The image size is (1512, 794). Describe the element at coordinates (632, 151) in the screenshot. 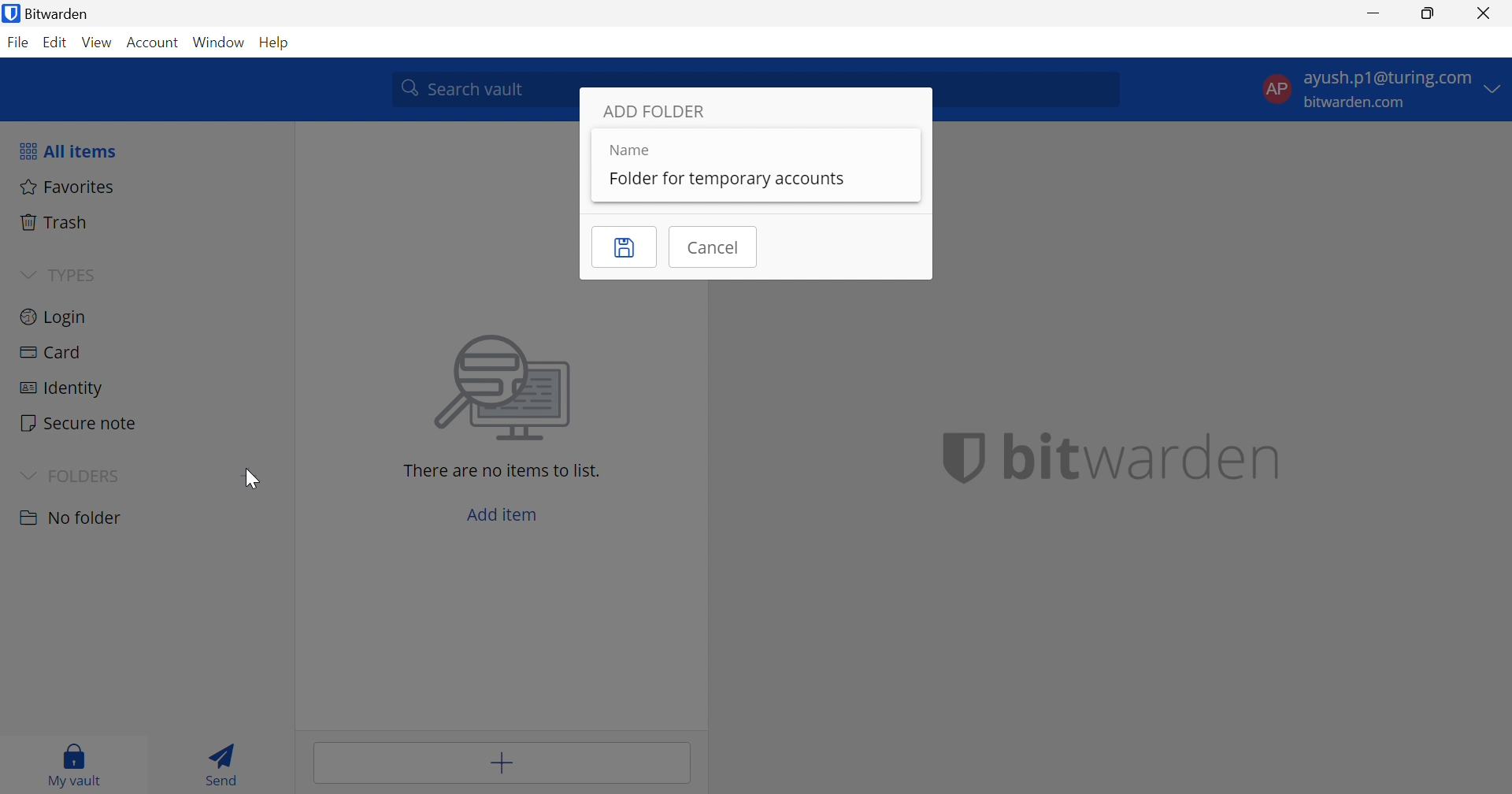

I see `Name` at that location.